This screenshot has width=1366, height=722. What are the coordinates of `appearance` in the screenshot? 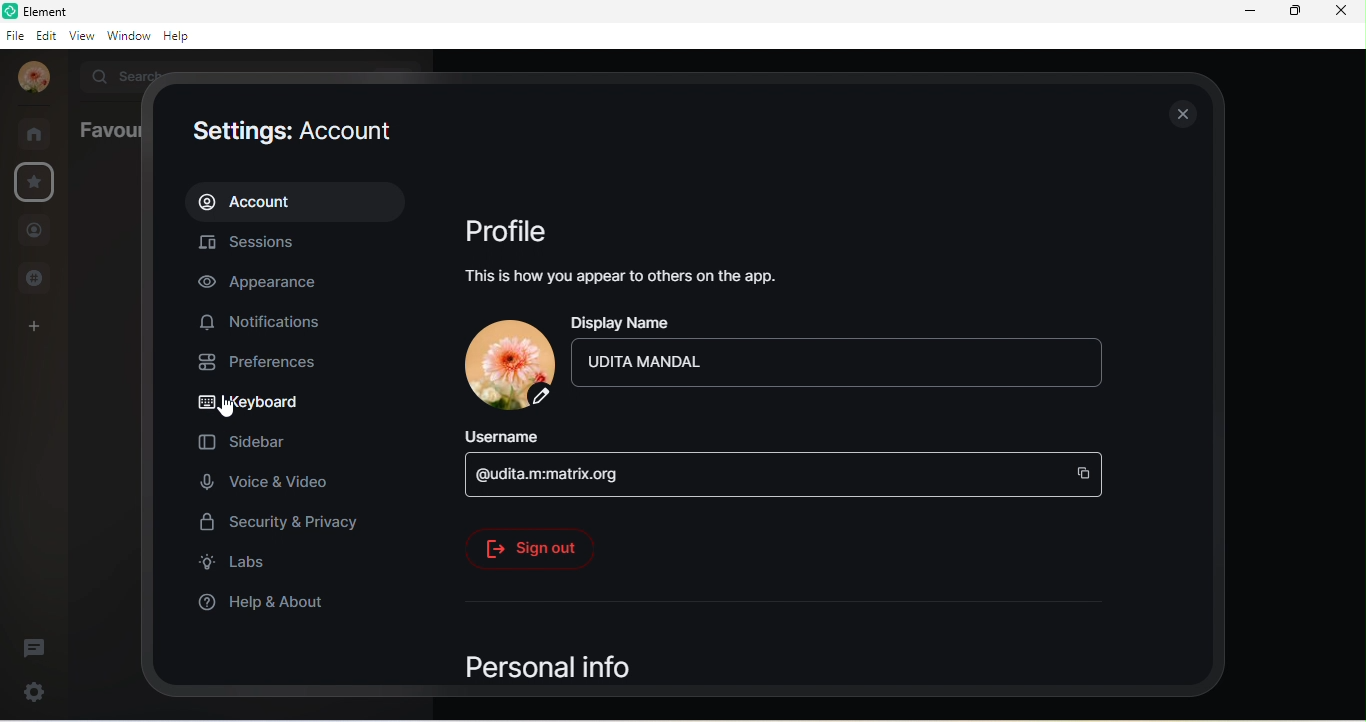 It's located at (267, 287).